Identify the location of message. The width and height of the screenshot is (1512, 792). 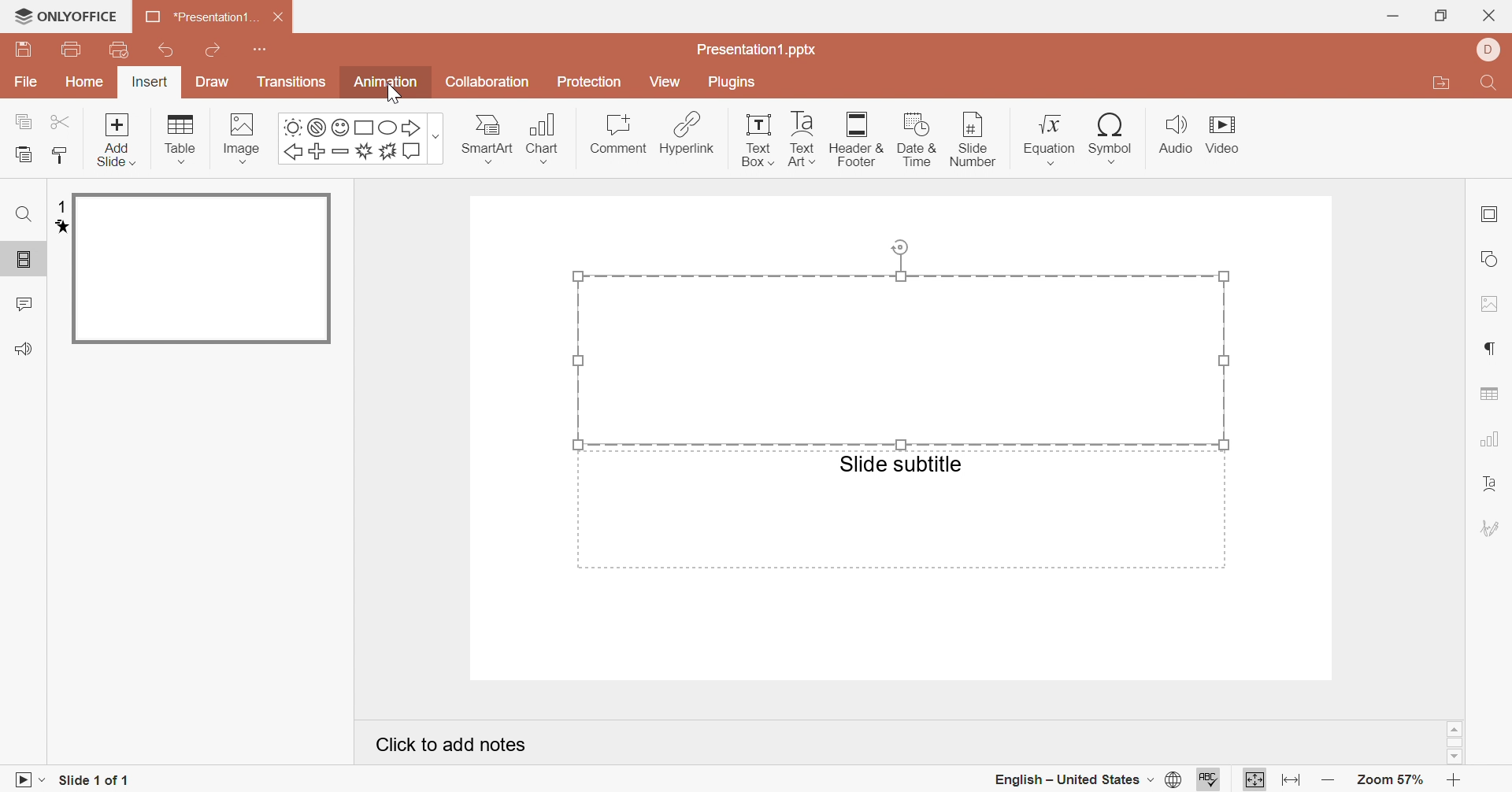
(415, 153).